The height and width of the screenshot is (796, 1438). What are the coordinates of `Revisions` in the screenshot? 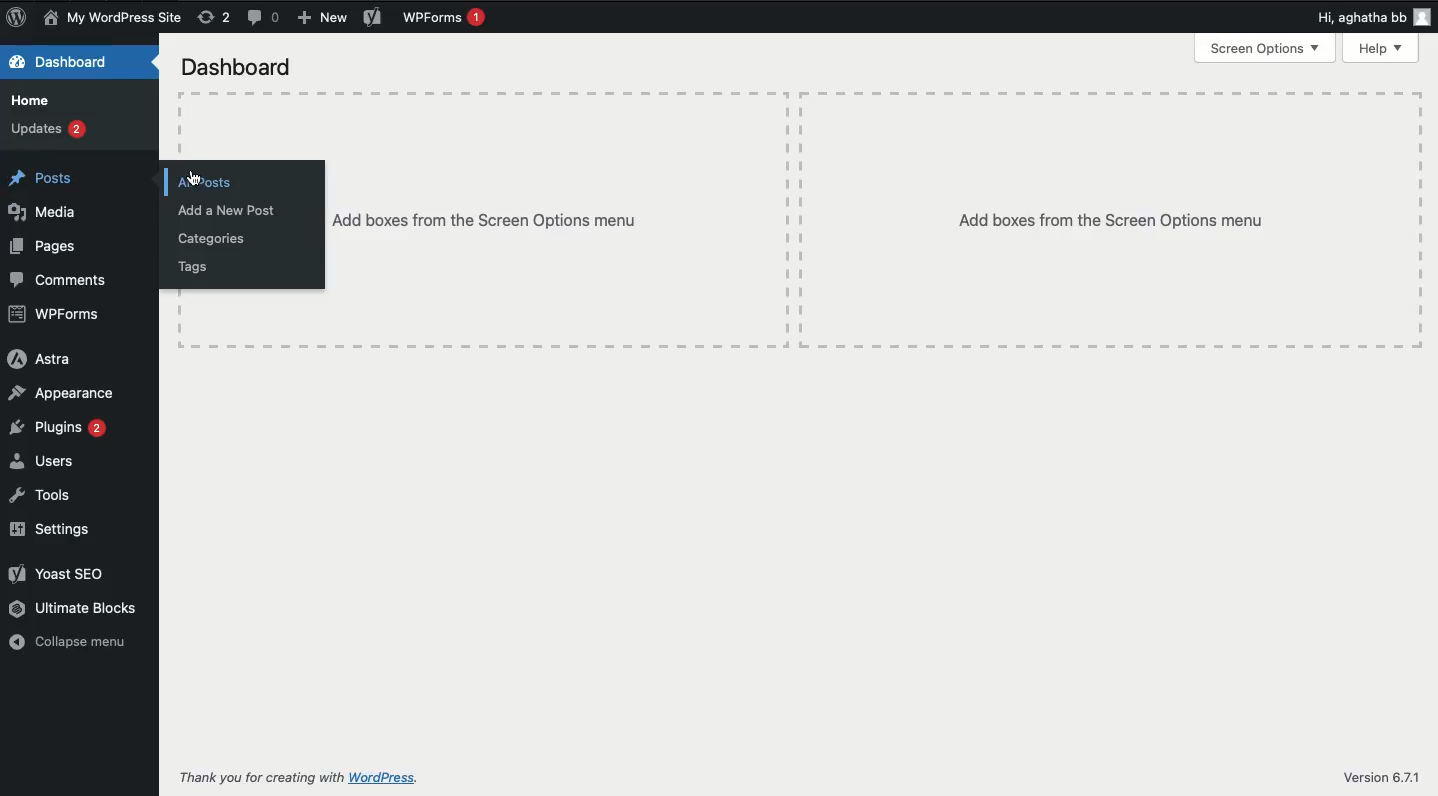 It's located at (215, 17).